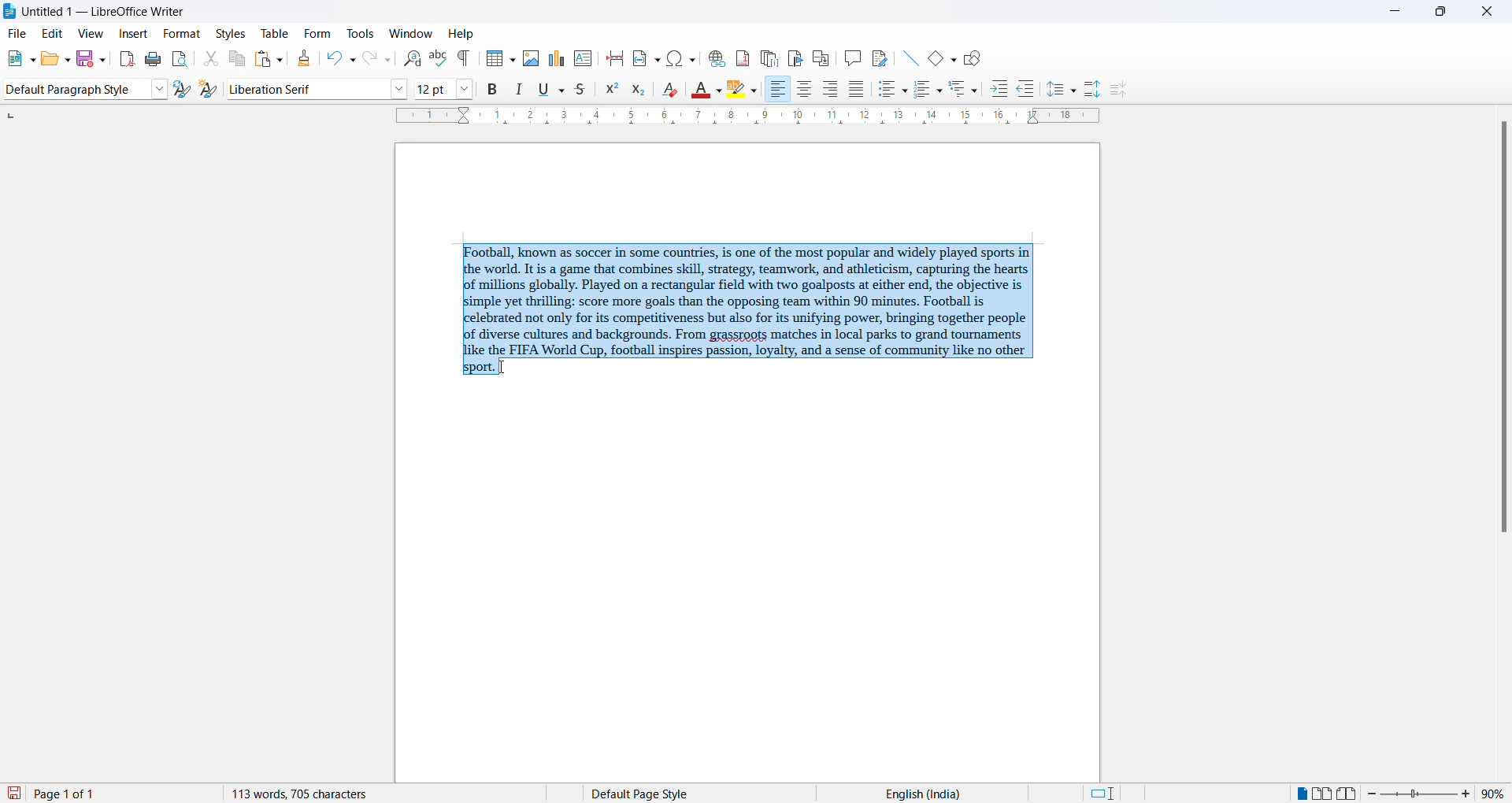  I want to click on insert charts, so click(556, 57).